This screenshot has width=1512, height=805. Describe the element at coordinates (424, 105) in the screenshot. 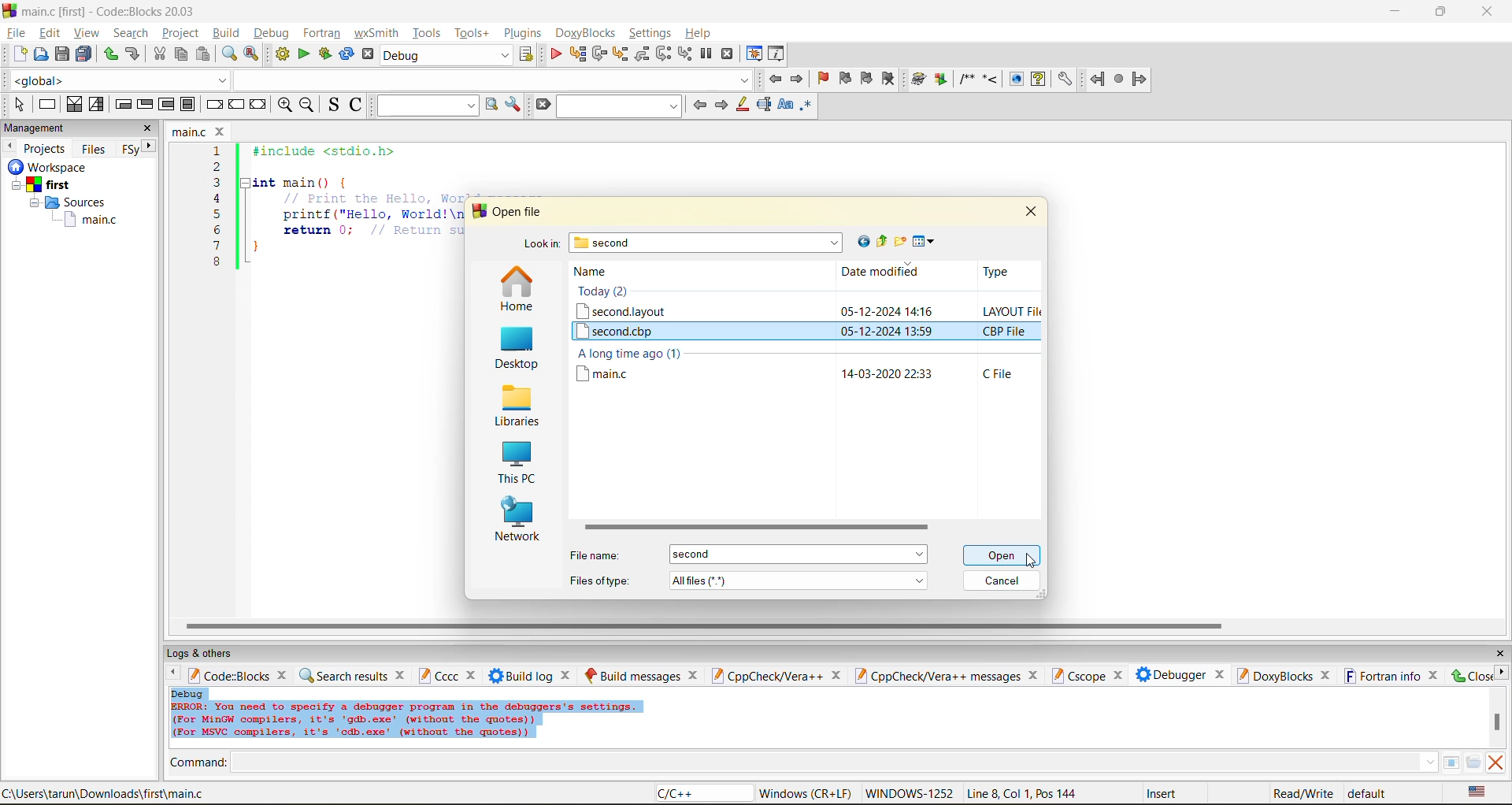

I see `text to search` at that location.